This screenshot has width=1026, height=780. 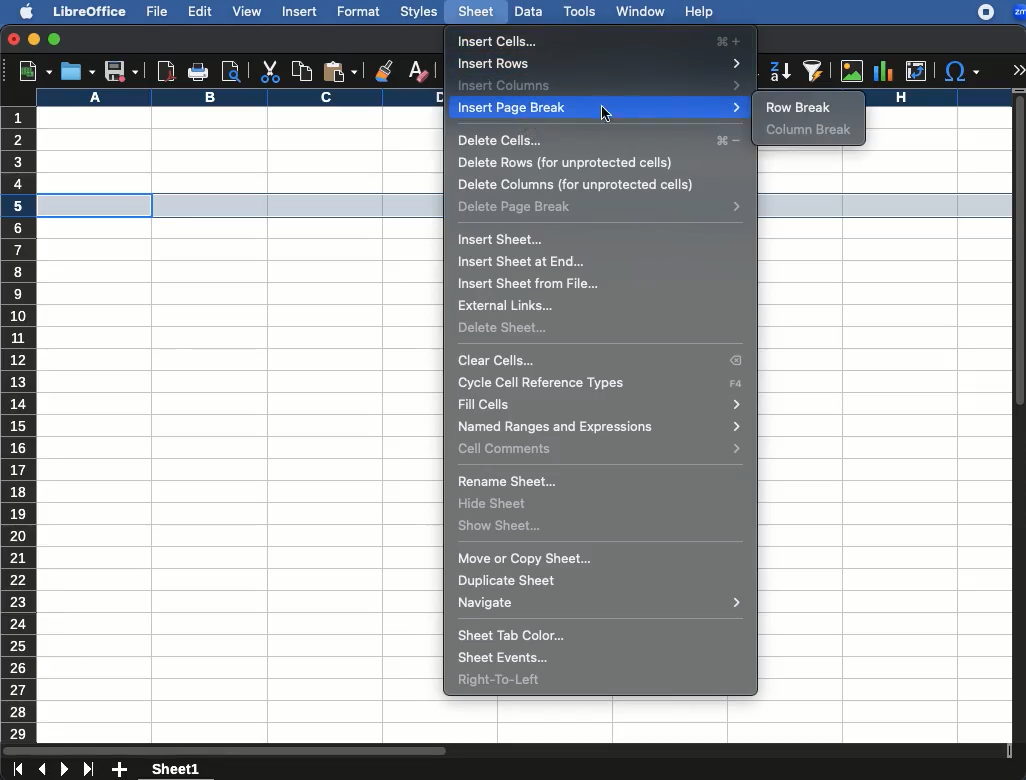 What do you see at coordinates (233, 71) in the screenshot?
I see `print preview` at bounding box center [233, 71].